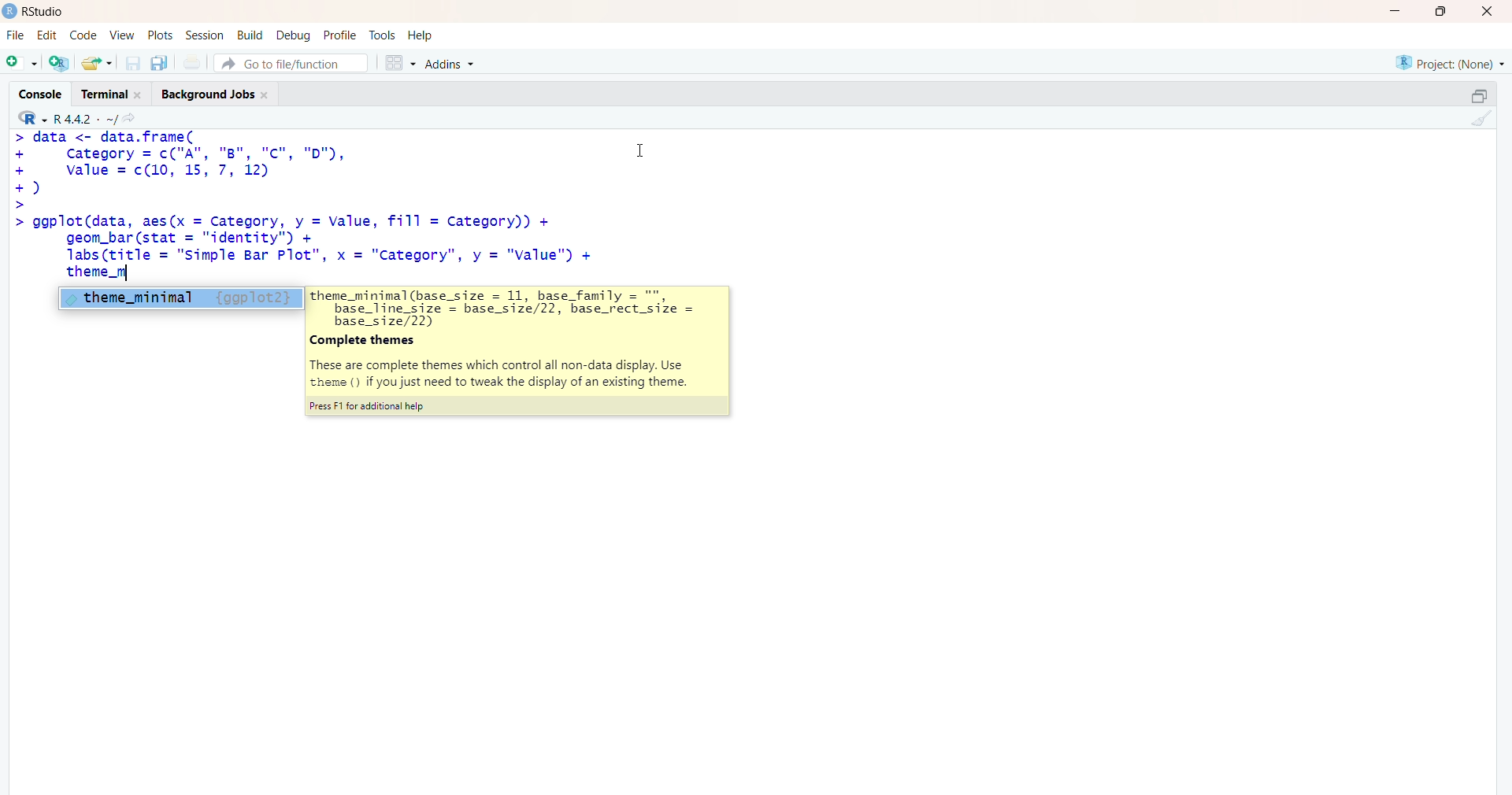 The width and height of the screenshot is (1512, 795). What do you see at coordinates (1446, 11) in the screenshot?
I see `maximize` at bounding box center [1446, 11].